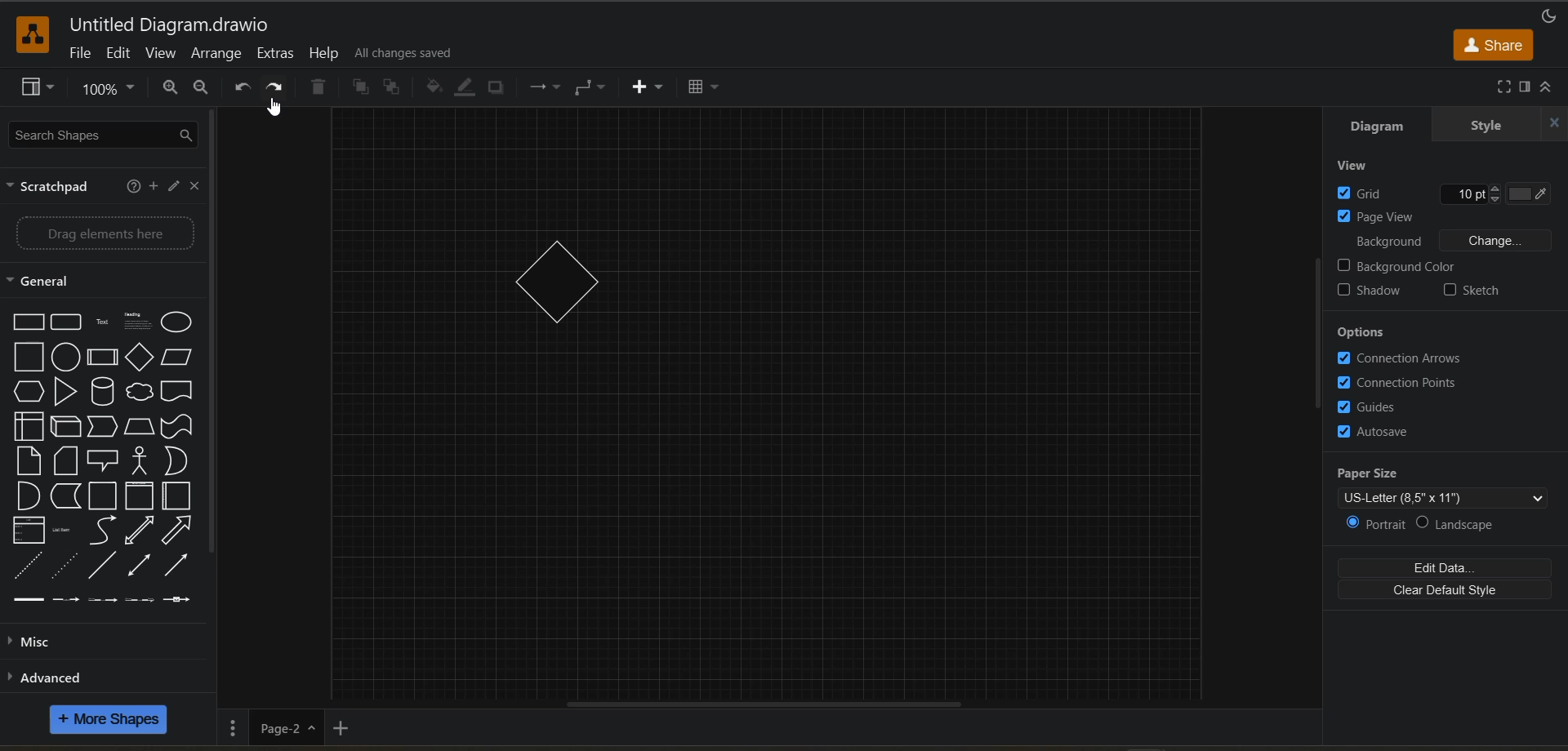  I want to click on cube, so click(66, 427).